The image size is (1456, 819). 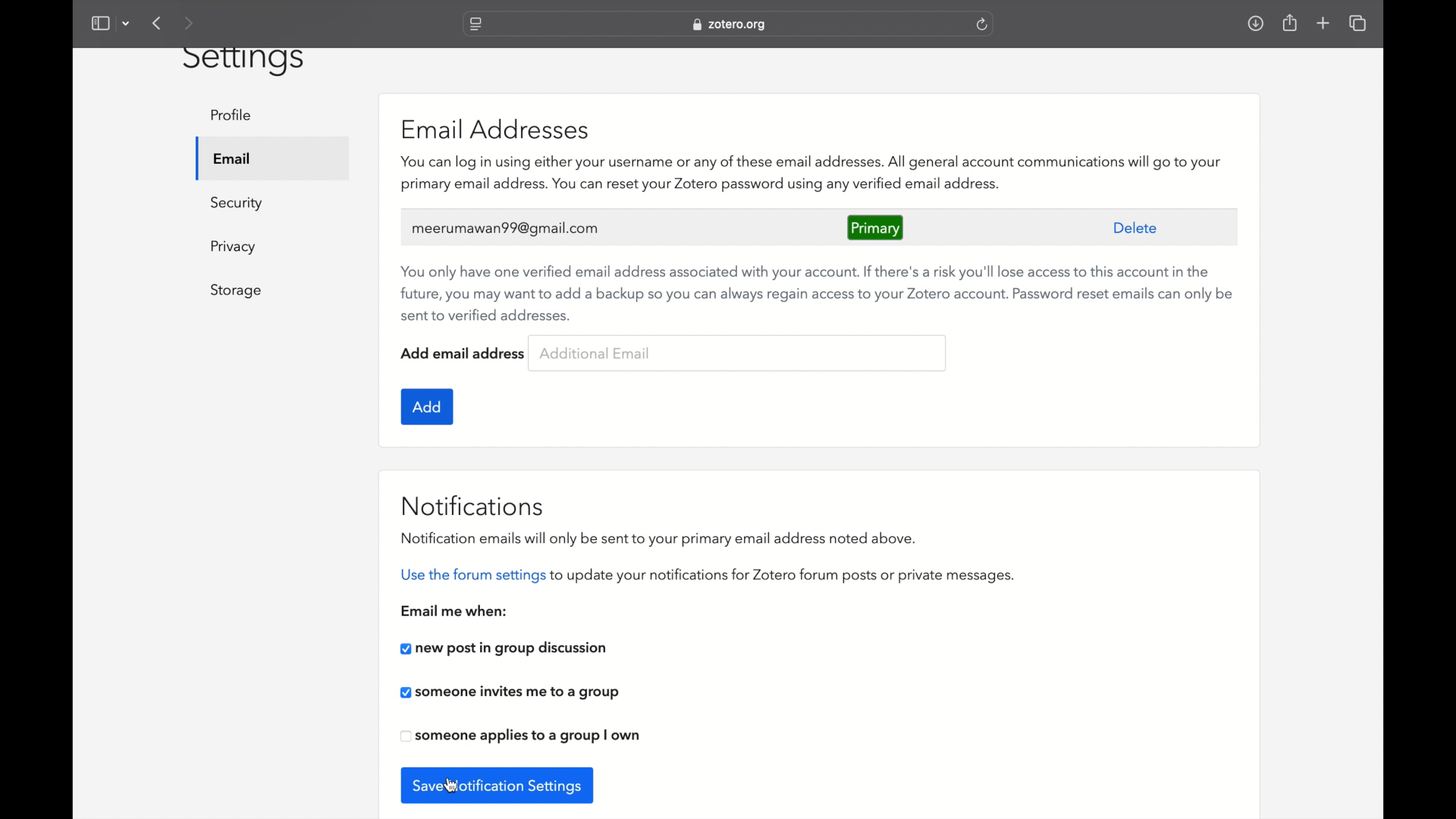 What do you see at coordinates (452, 611) in the screenshot?
I see `email me when:` at bounding box center [452, 611].